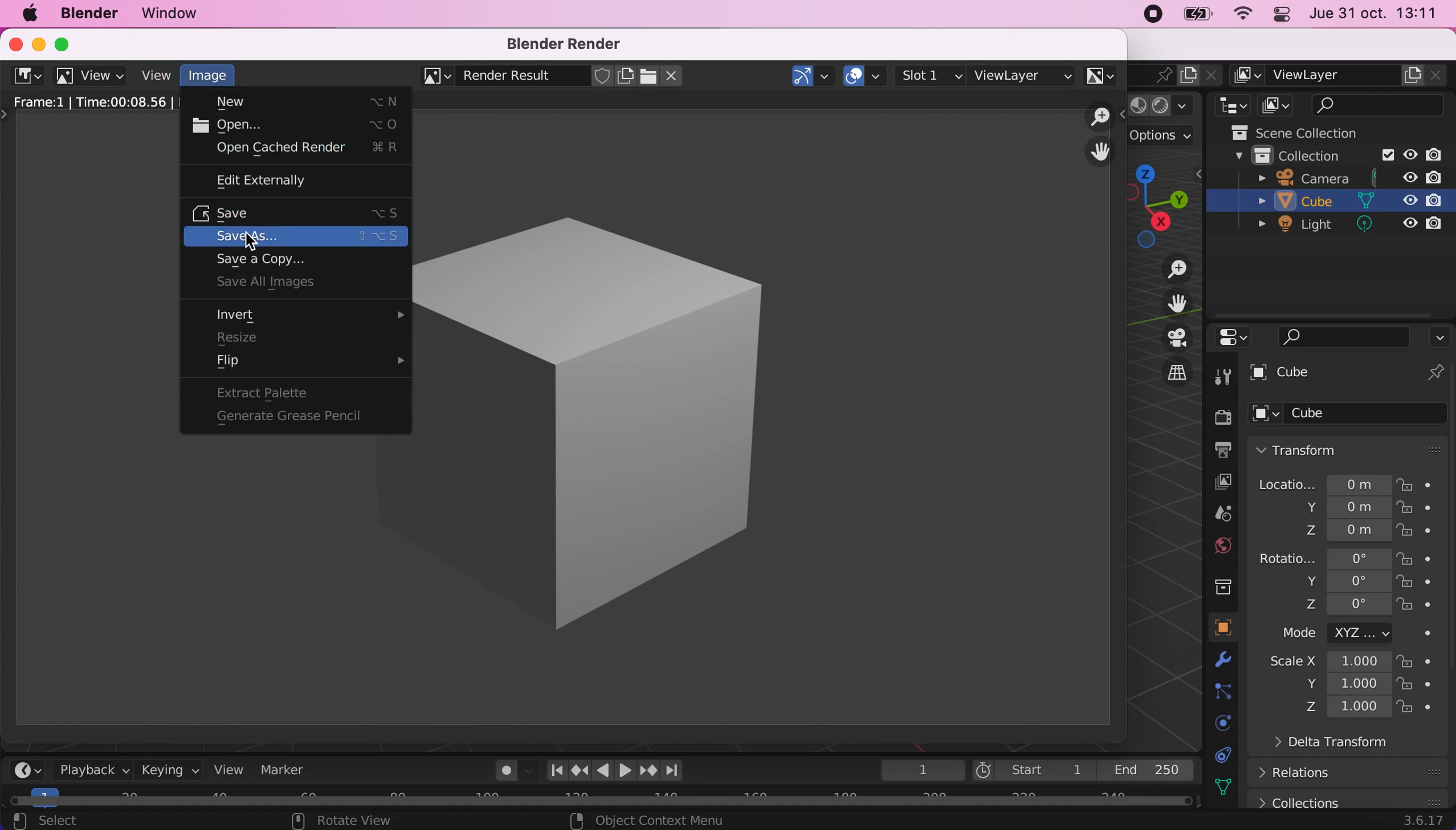 This screenshot has width=1456, height=830. What do you see at coordinates (1352, 449) in the screenshot?
I see `transform ` at bounding box center [1352, 449].